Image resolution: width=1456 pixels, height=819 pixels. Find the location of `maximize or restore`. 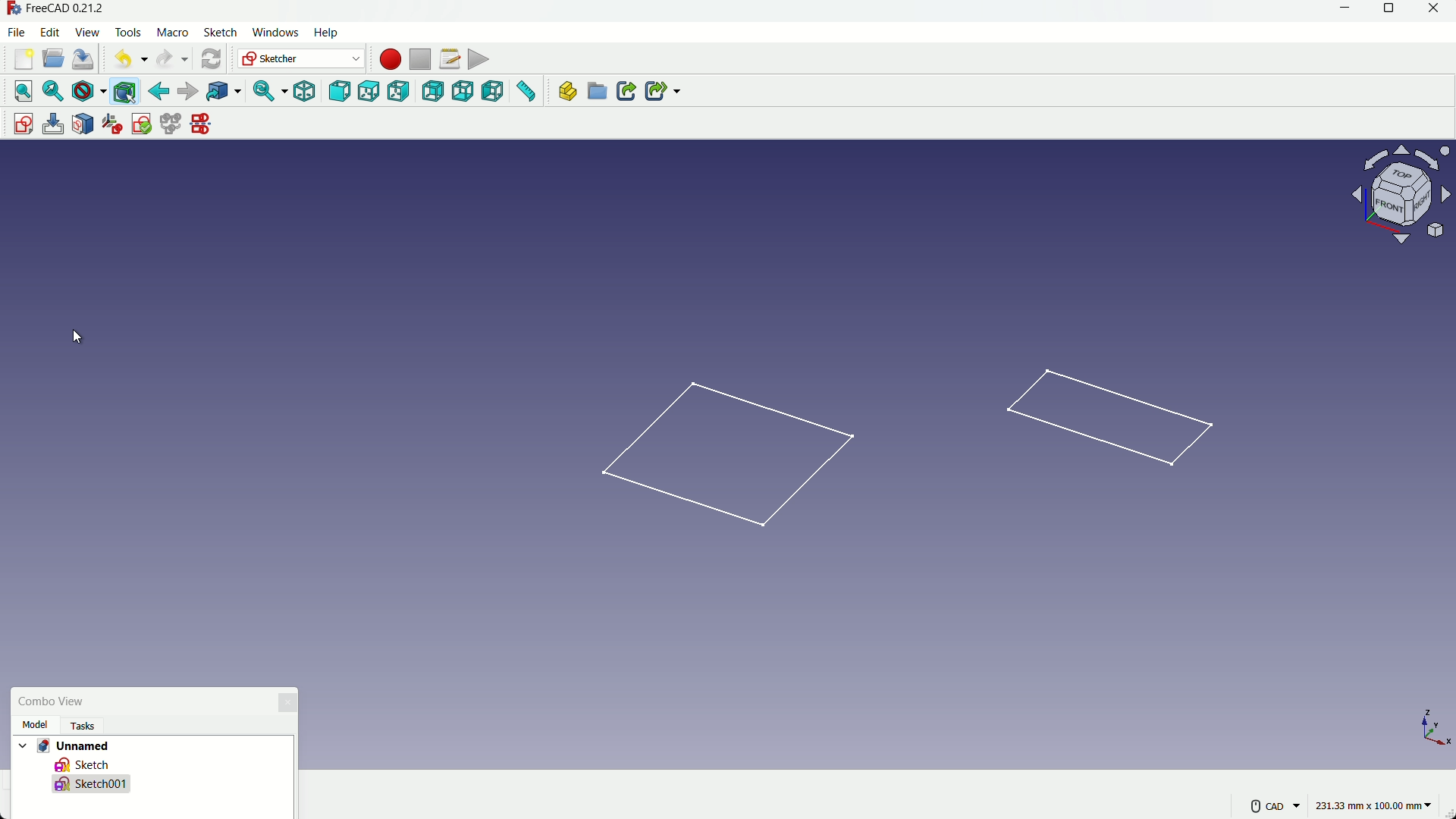

maximize or restore is located at coordinates (1391, 11).